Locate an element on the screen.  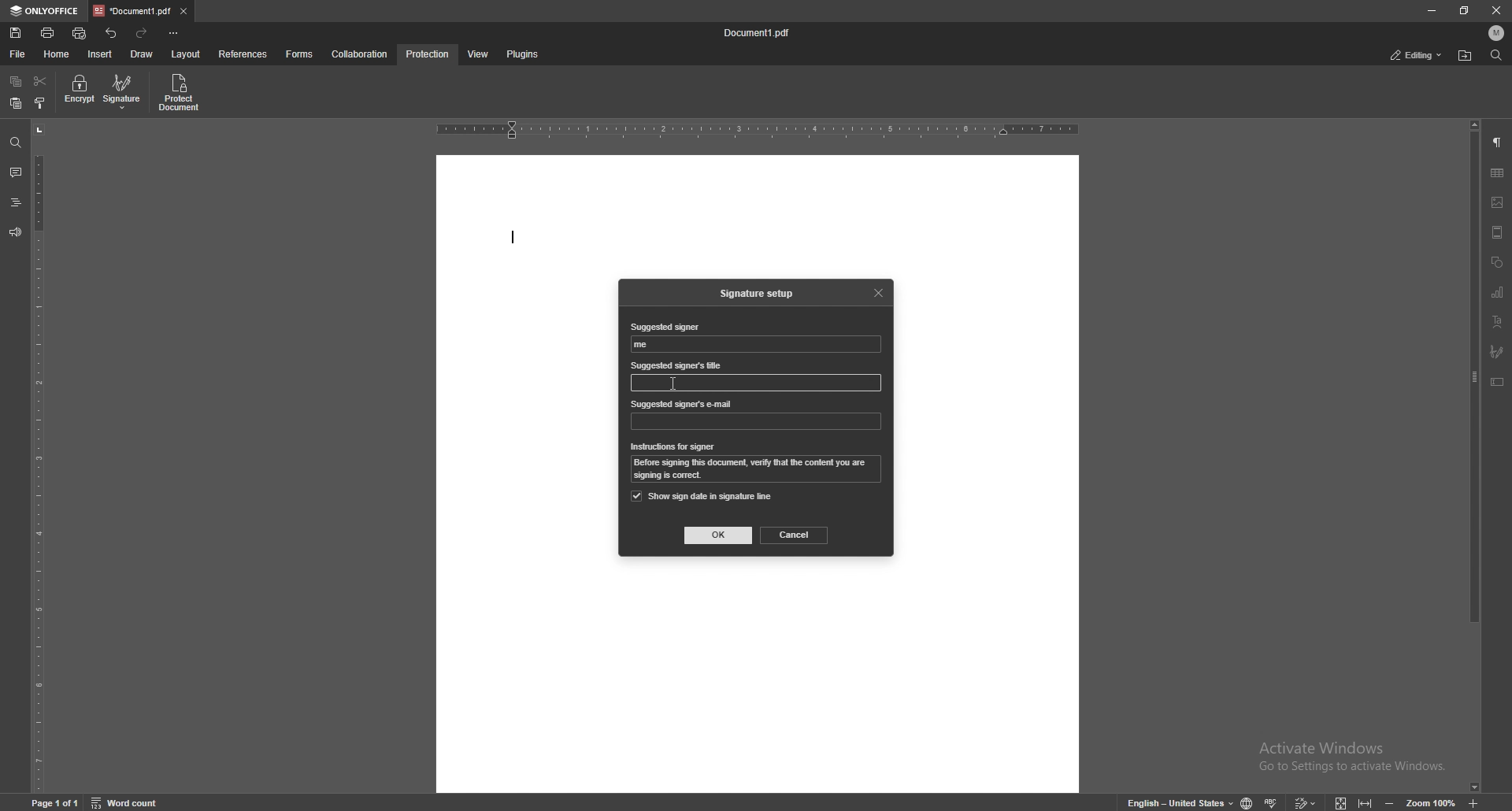
quick print is located at coordinates (80, 35).